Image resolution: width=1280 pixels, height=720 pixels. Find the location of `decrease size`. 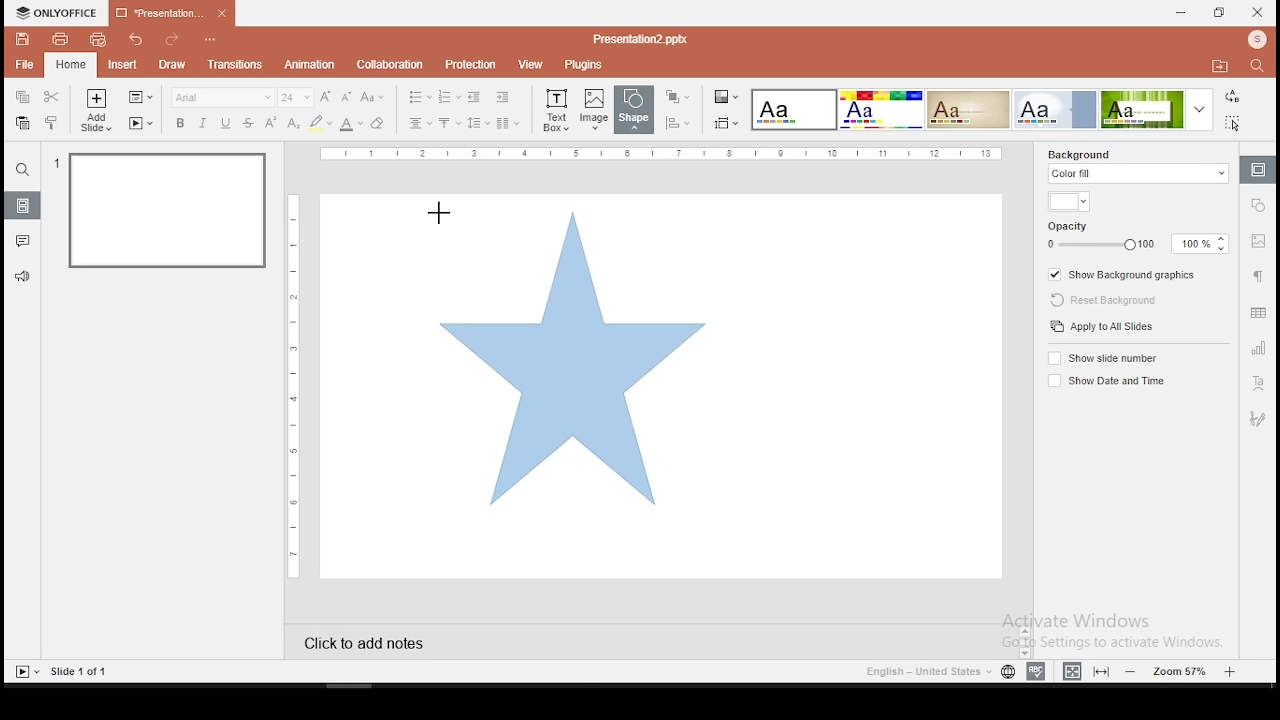

decrease size is located at coordinates (347, 97).